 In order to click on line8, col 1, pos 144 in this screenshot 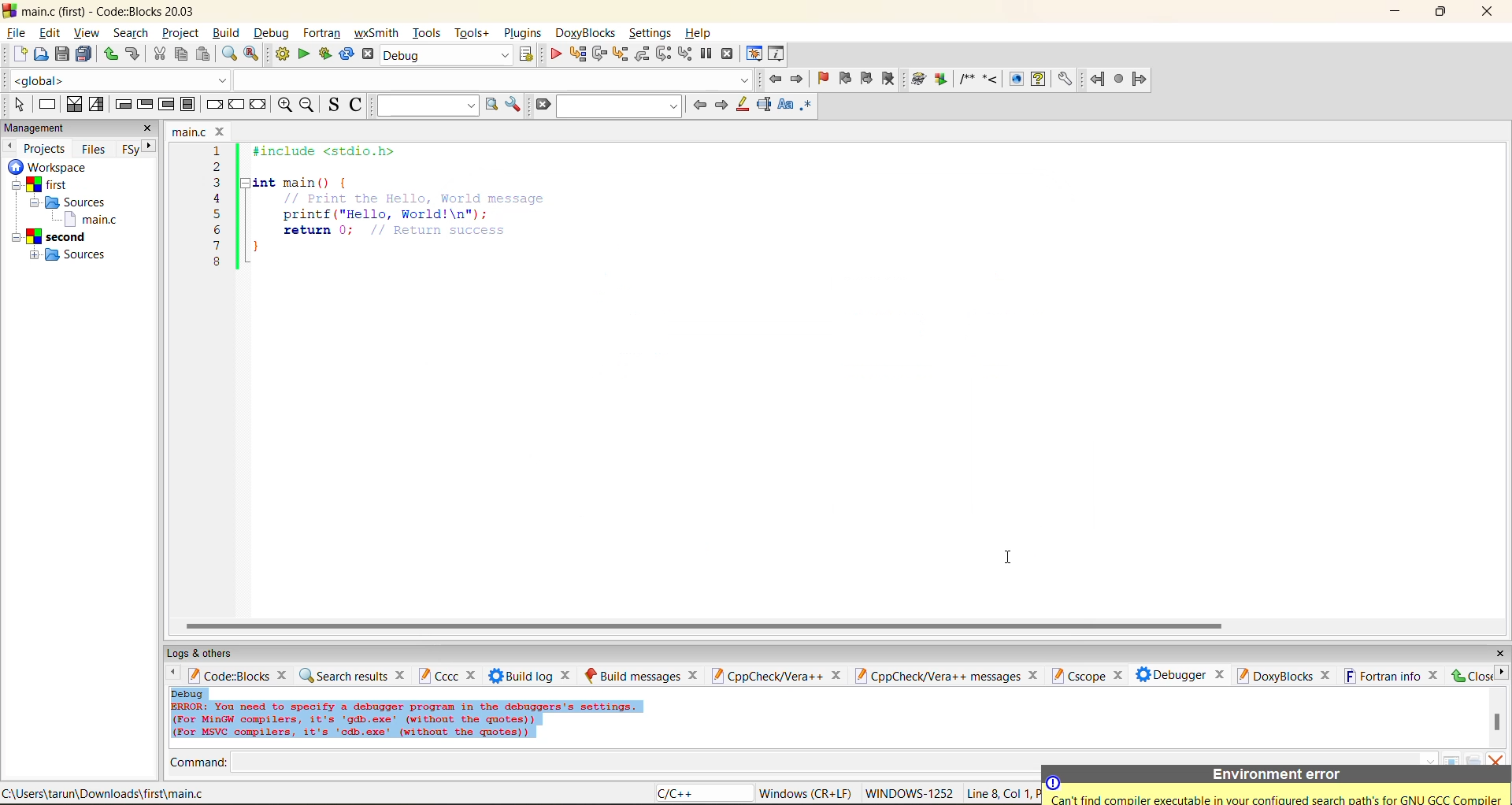, I will do `click(1002, 793)`.